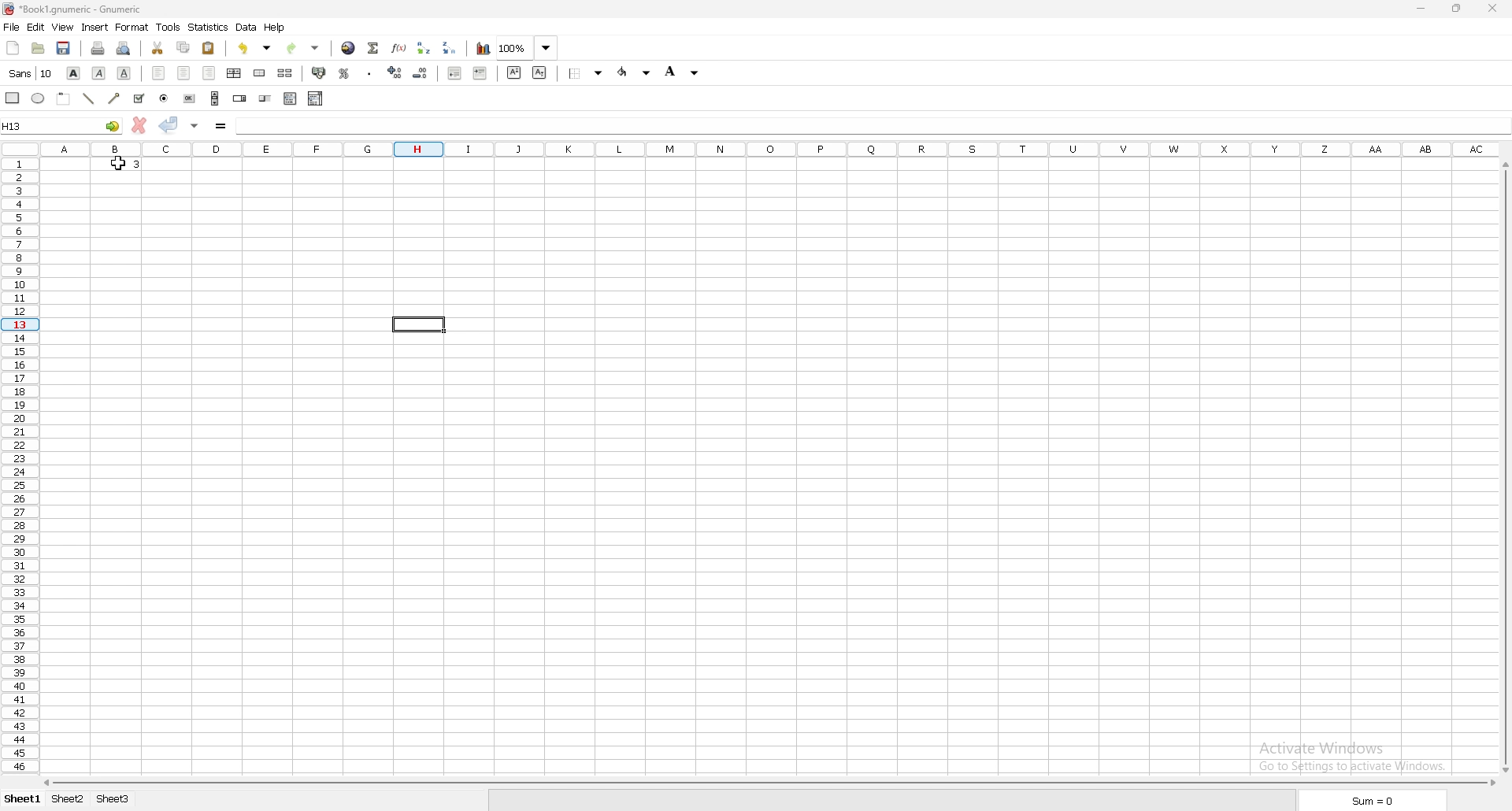 This screenshot has width=1512, height=811. I want to click on format, so click(132, 27).